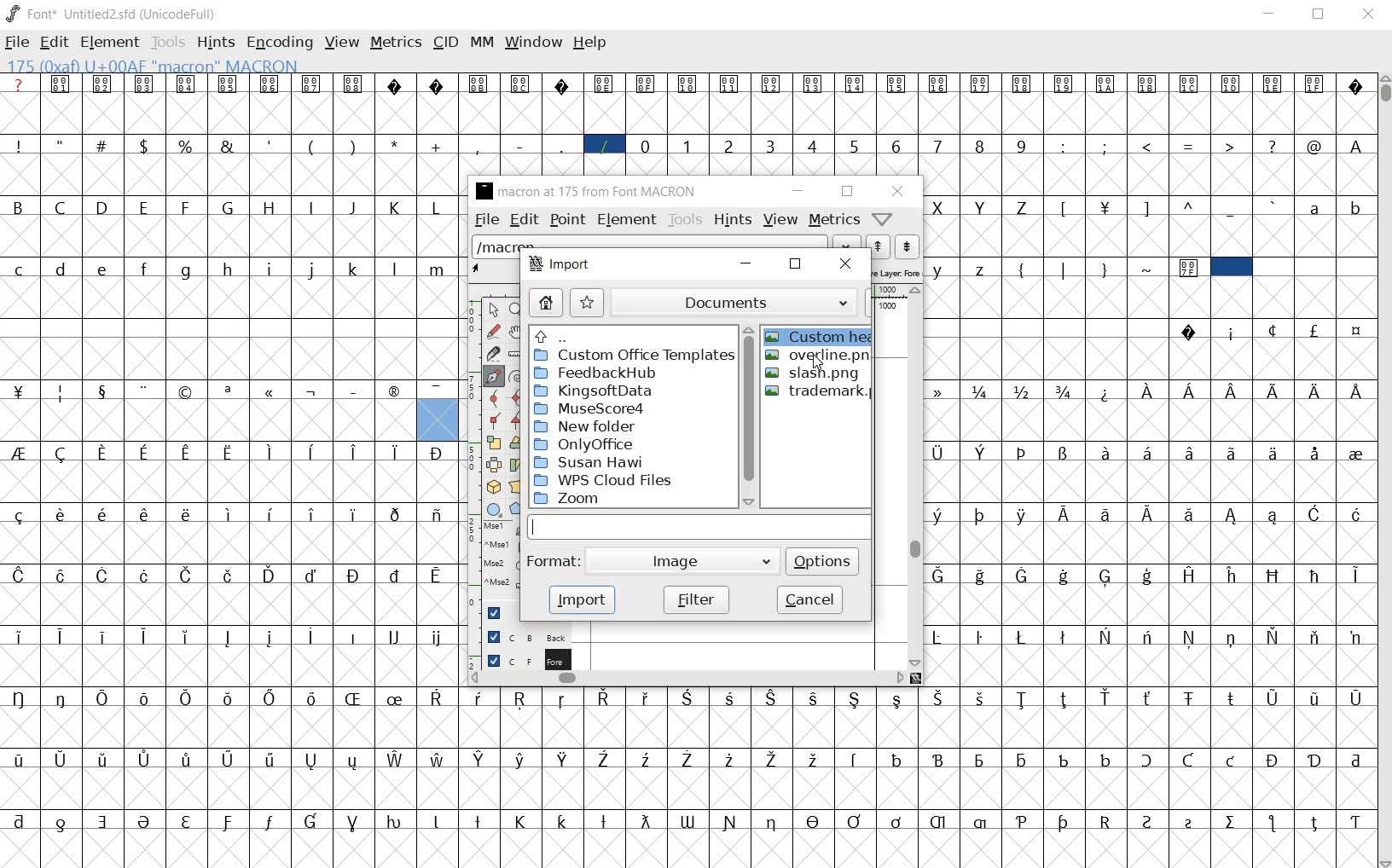  Describe the element at coordinates (857, 145) in the screenshot. I see `5` at that location.